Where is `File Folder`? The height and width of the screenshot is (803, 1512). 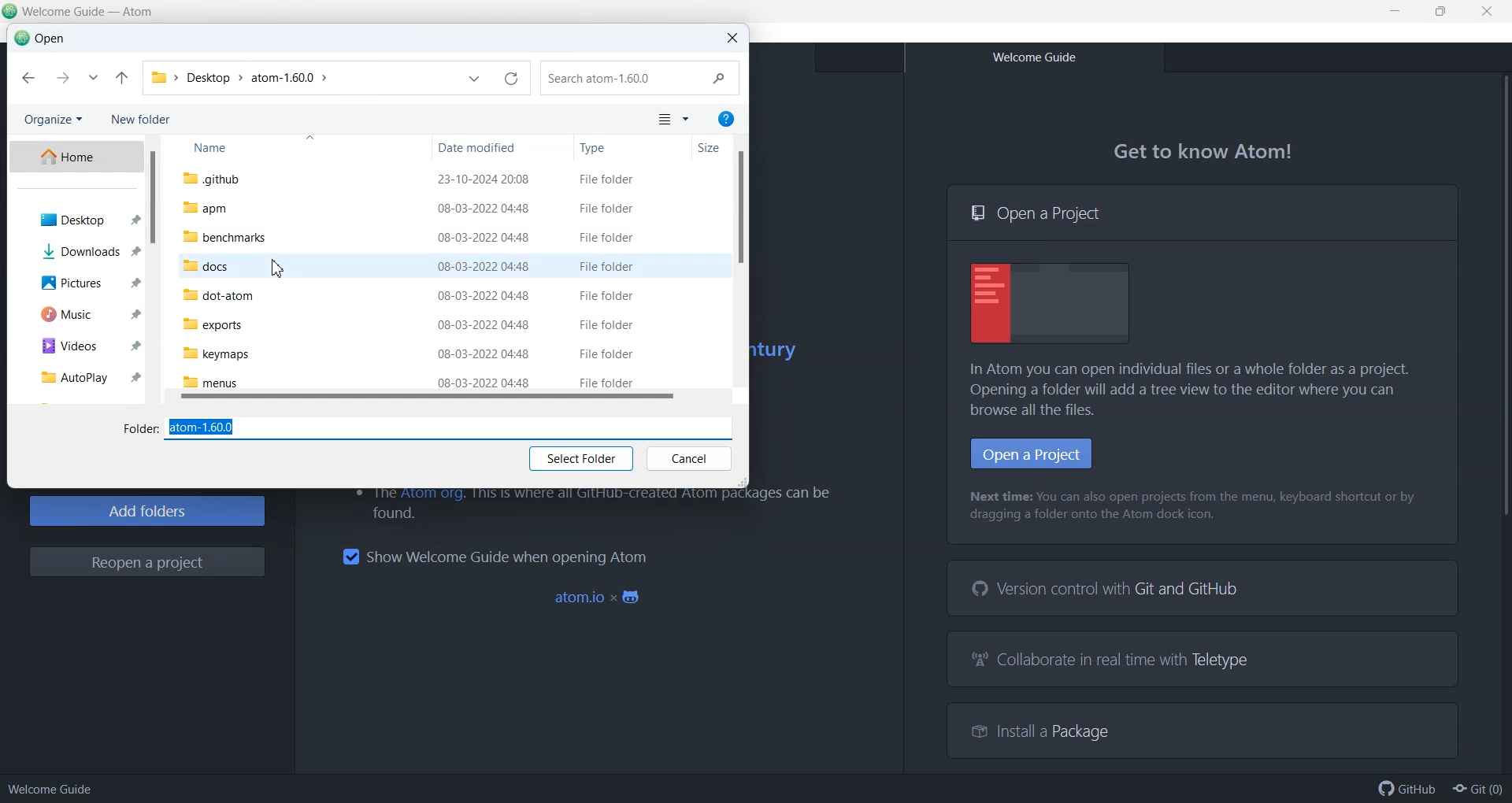
File Folder is located at coordinates (608, 179).